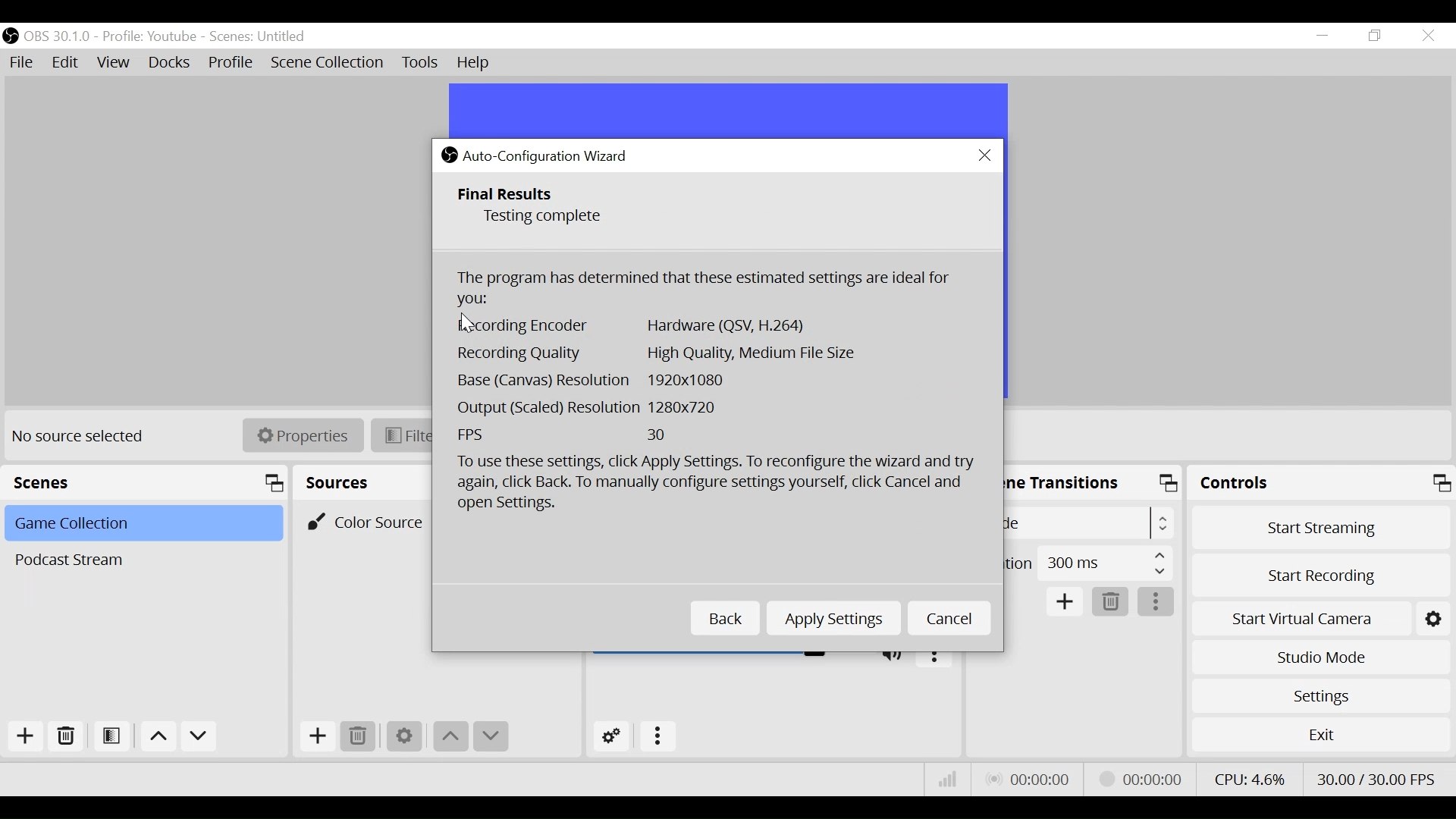 The width and height of the screenshot is (1456, 819). Describe the element at coordinates (1429, 36) in the screenshot. I see `Close` at that location.